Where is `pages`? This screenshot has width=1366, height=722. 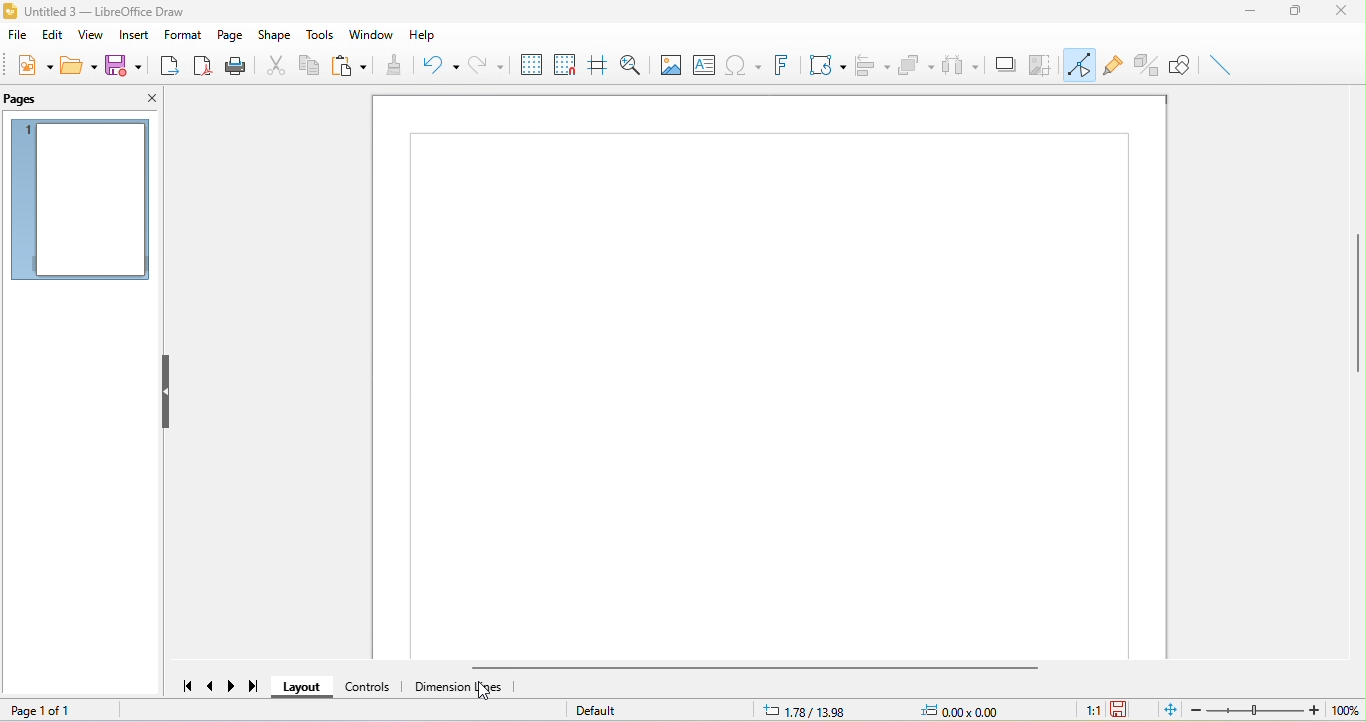 pages is located at coordinates (33, 101).